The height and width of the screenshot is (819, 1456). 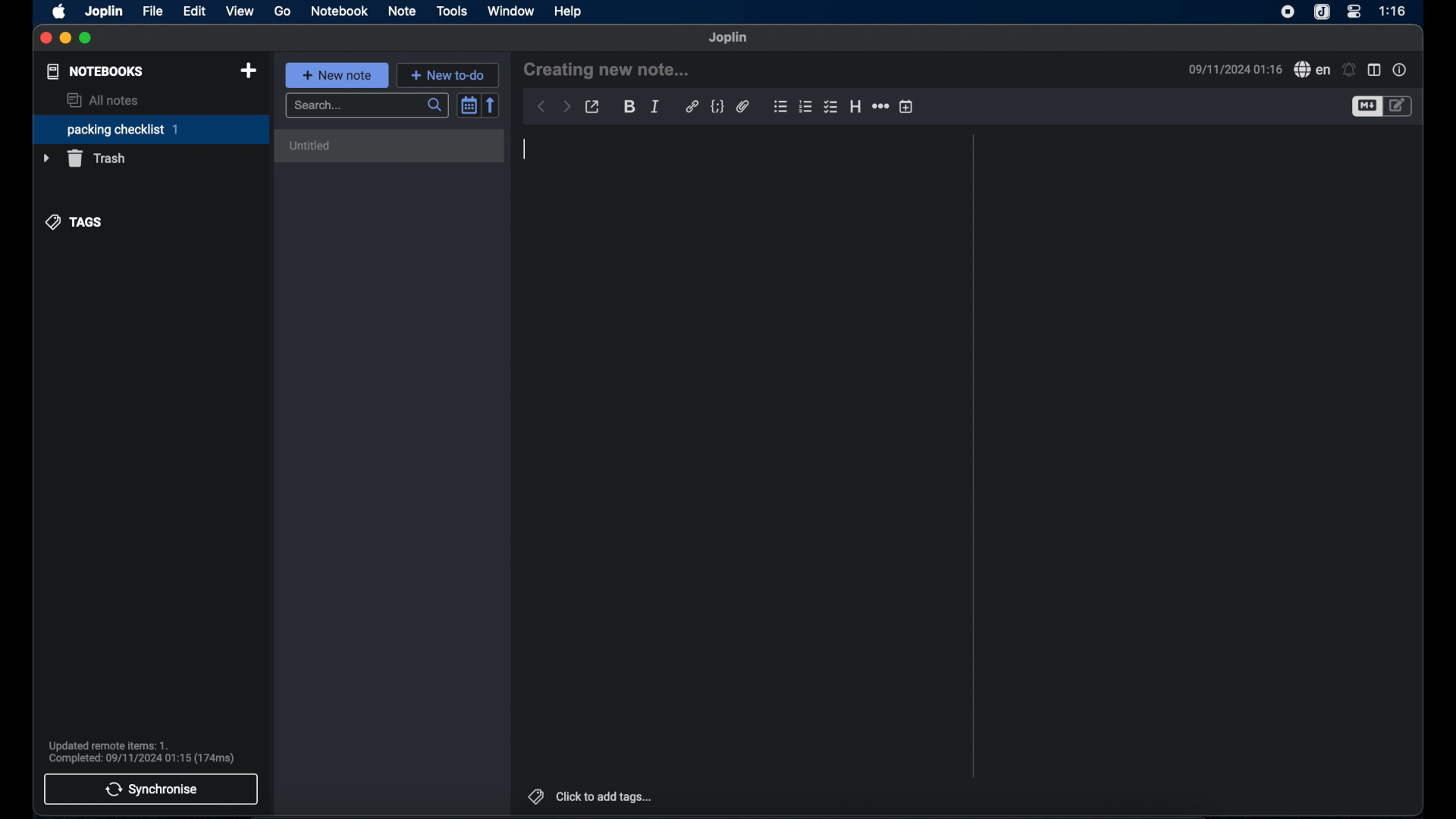 What do you see at coordinates (1399, 107) in the screenshot?
I see `toggle edito` at bounding box center [1399, 107].